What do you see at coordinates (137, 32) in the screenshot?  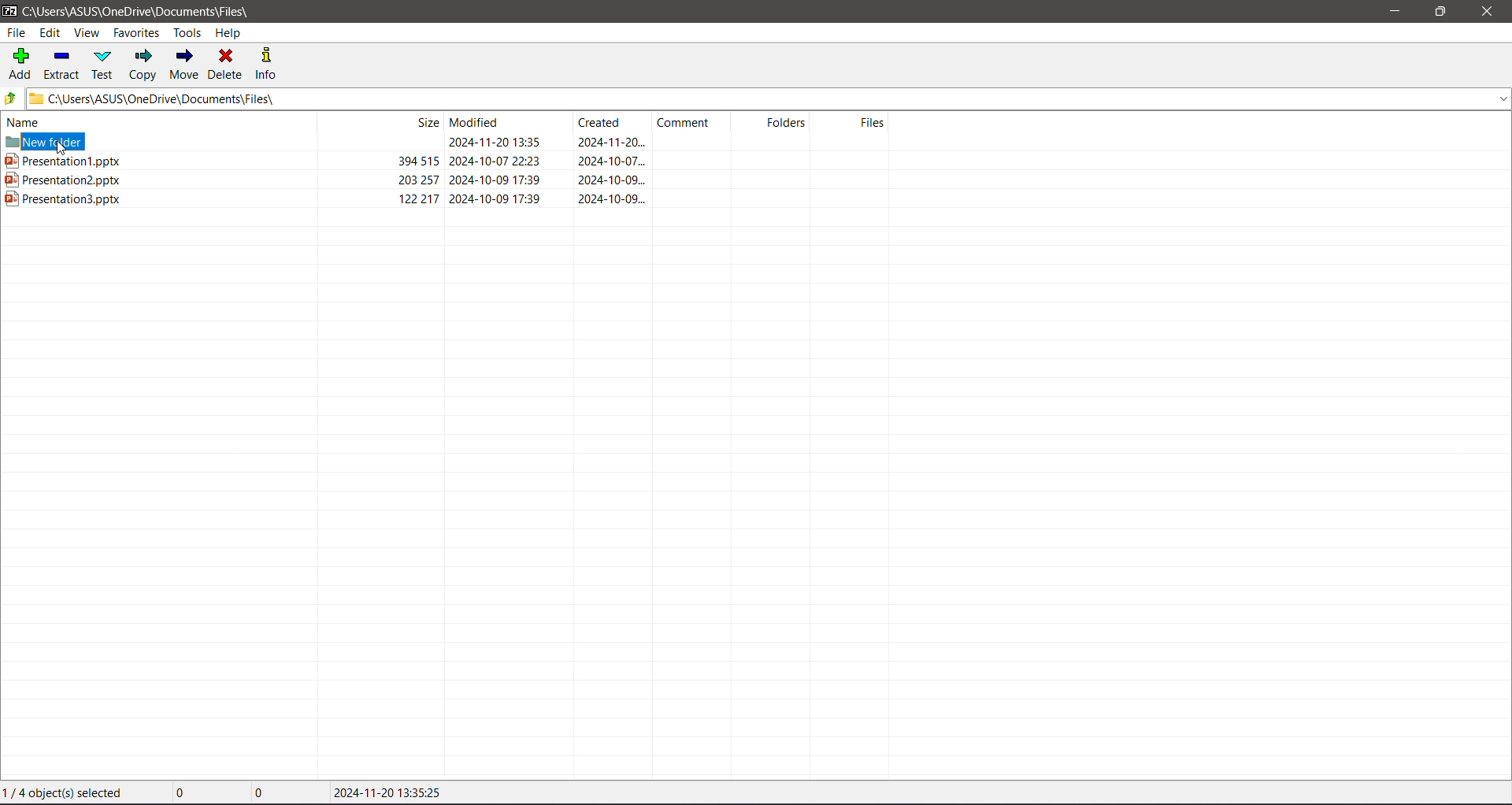 I see `Favorites` at bounding box center [137, 32].